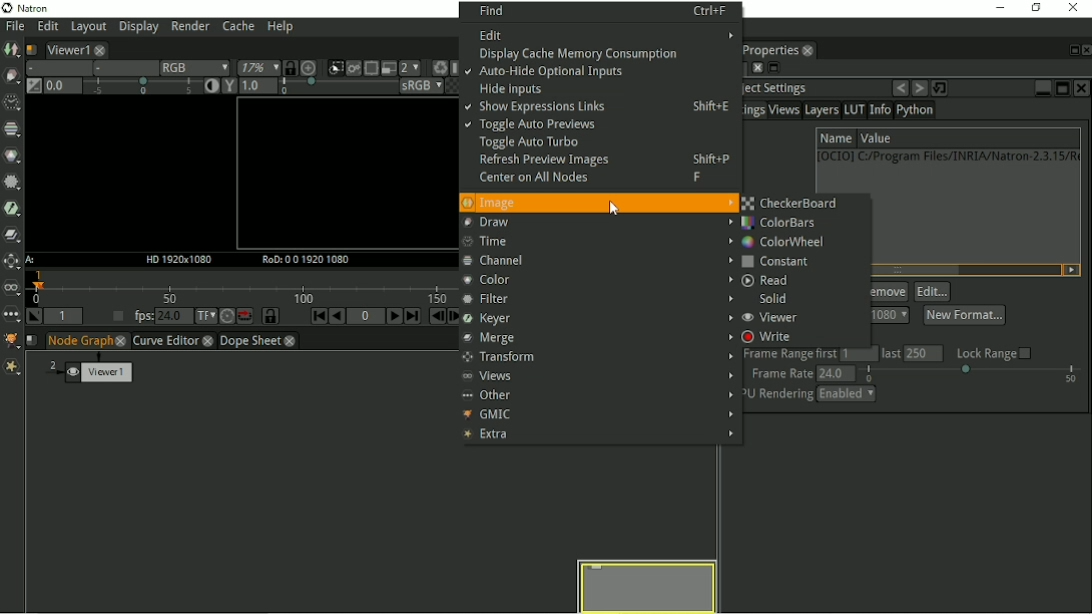 The height and width of the screenshot is (614, 1092). Describe the element at coordinates (1083, 88) in the screenshot. I see `Close` at that location.